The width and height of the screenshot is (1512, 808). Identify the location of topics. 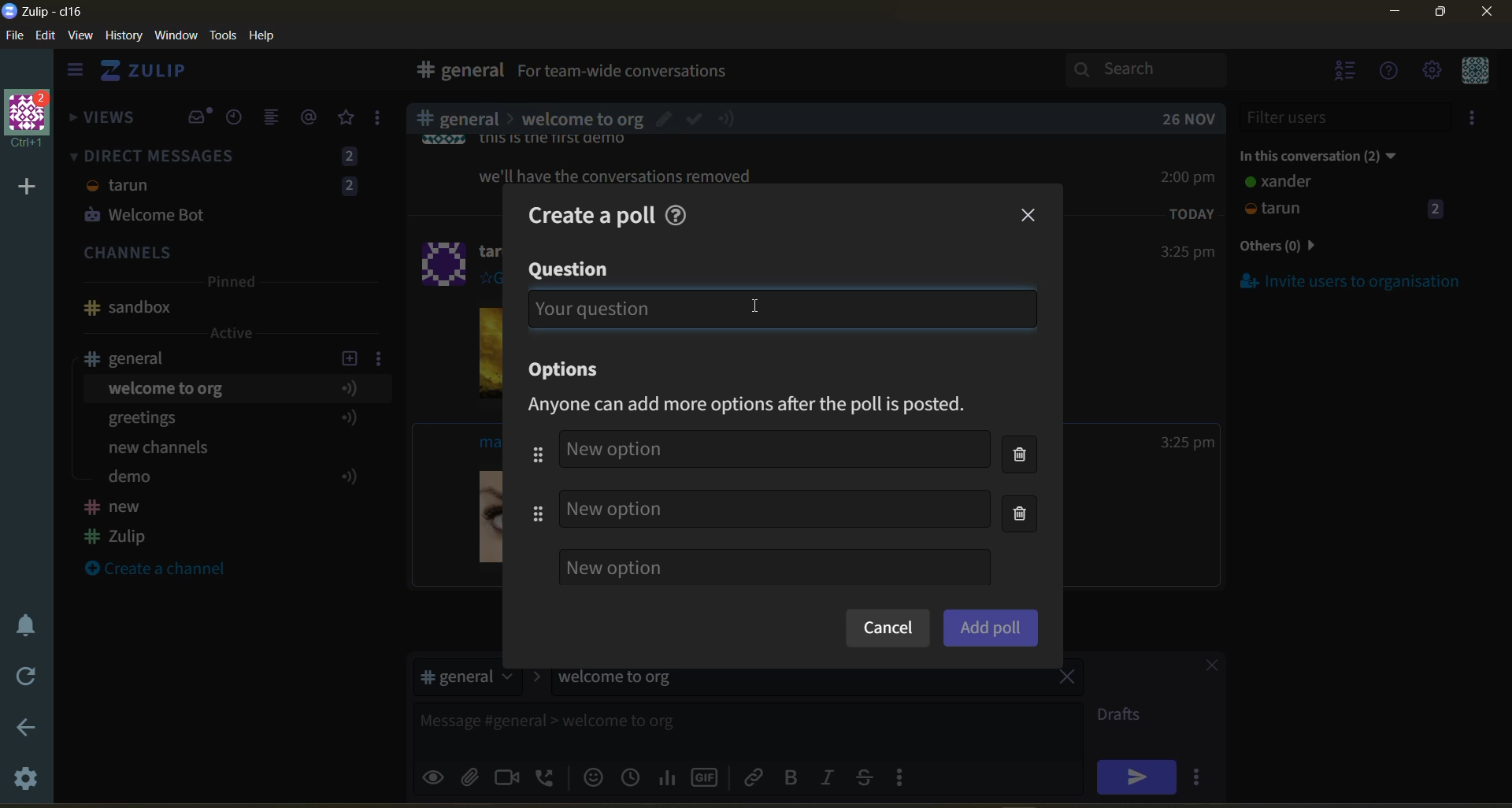
(228, 436).